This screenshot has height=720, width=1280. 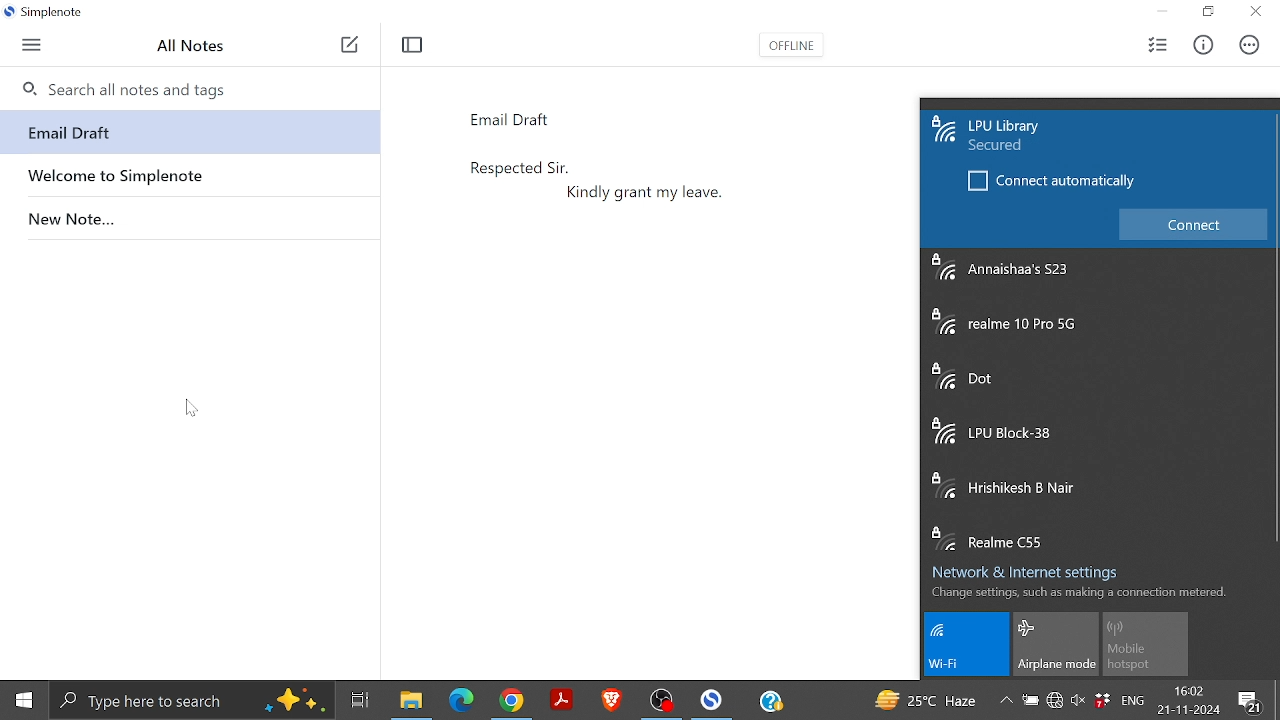 What do you see at coordinates (1056, 704) in the screenshot?
I see `Network` at bounding box center [1056, 704].